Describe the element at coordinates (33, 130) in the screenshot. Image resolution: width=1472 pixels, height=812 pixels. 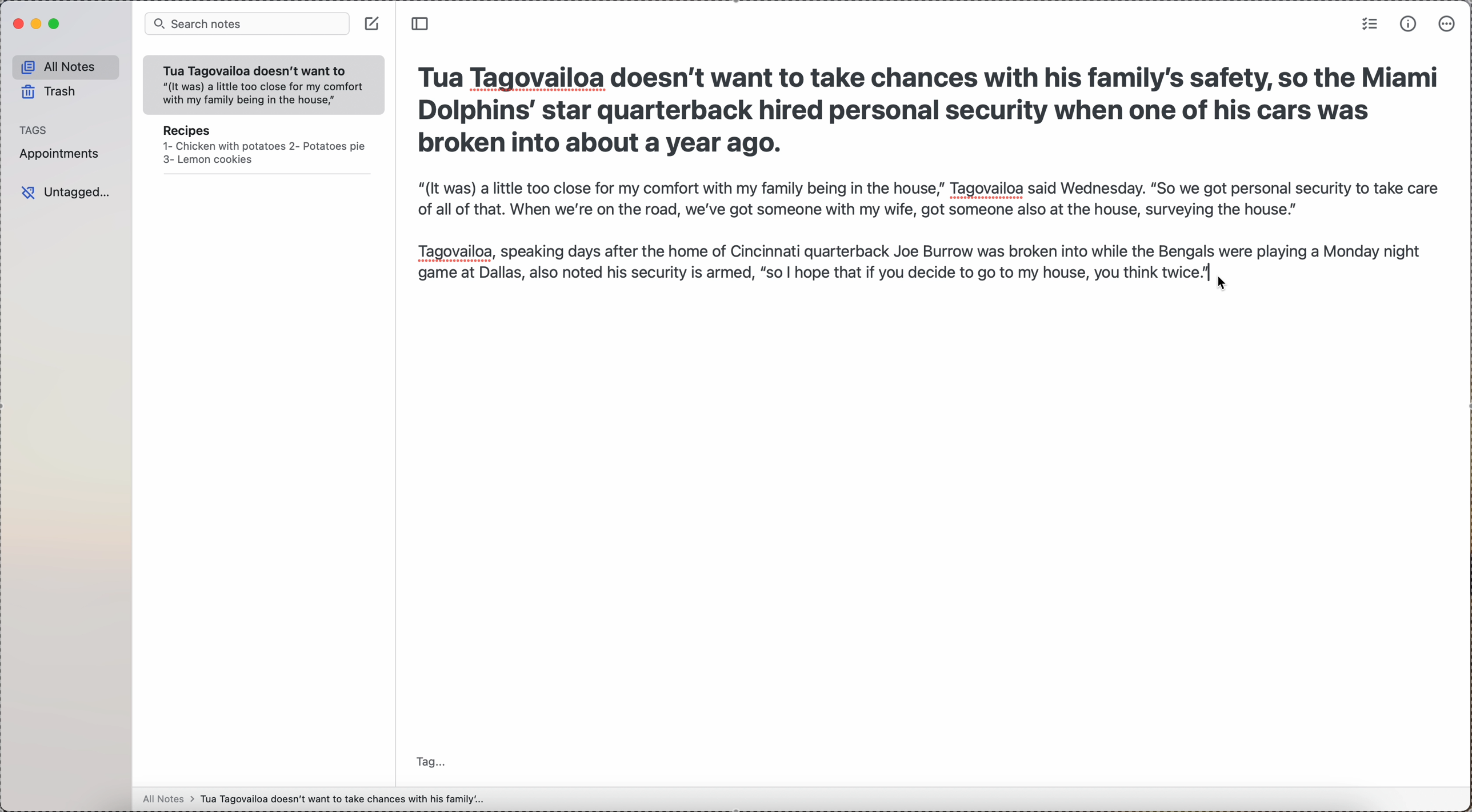
I see `tags` at that location.